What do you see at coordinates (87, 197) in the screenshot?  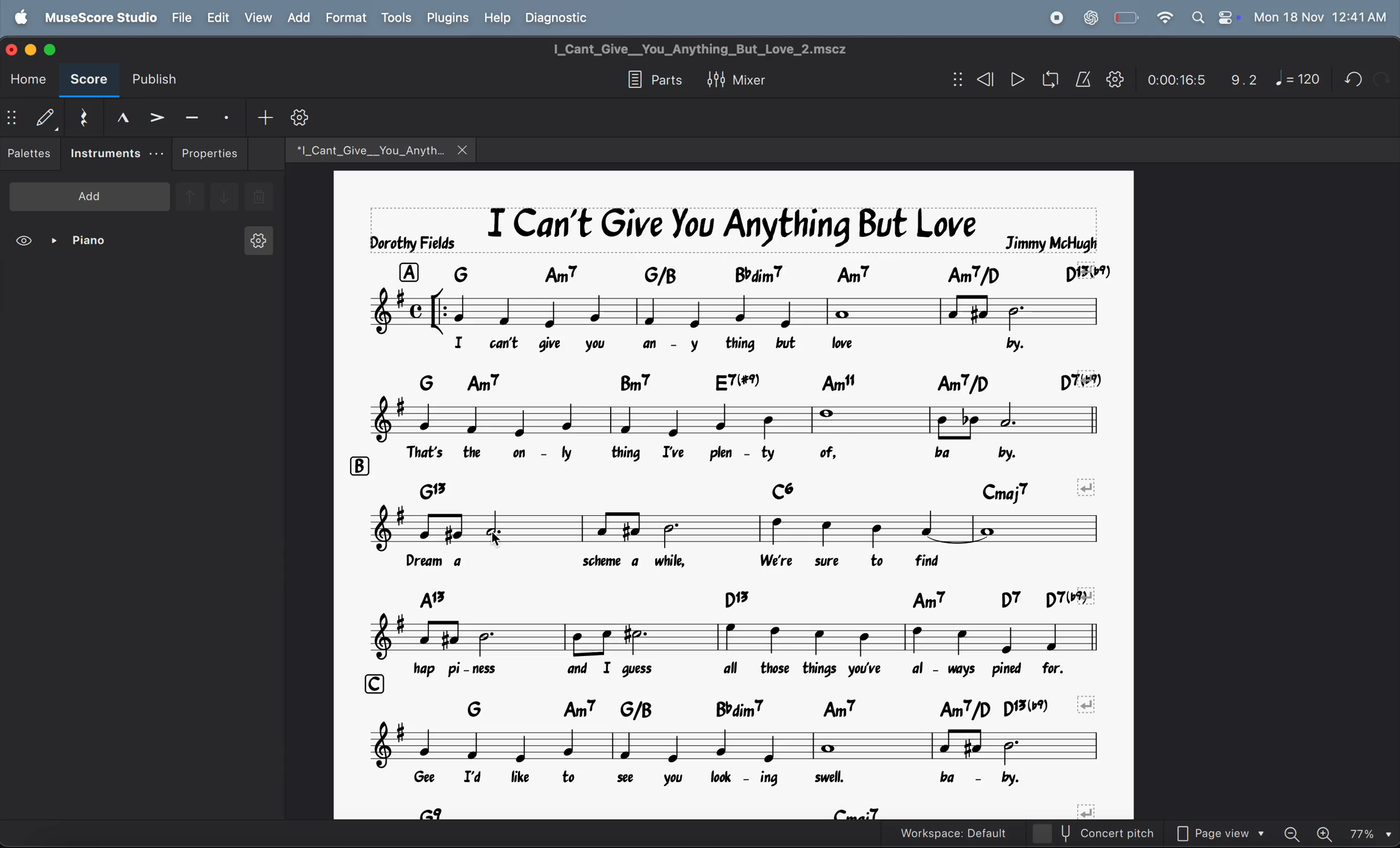 I see `add` at bounding box center [87, 197].